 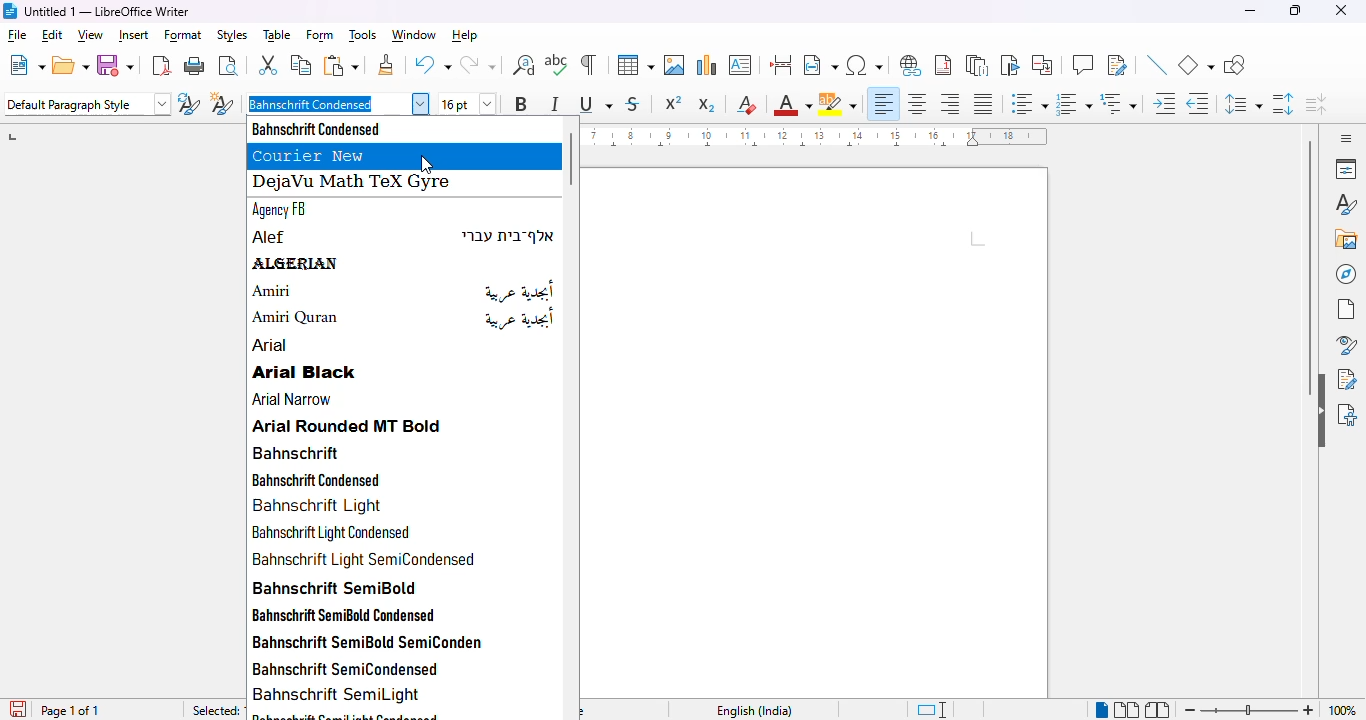 I want to click on insert special characters, so click(x=867, y=65).